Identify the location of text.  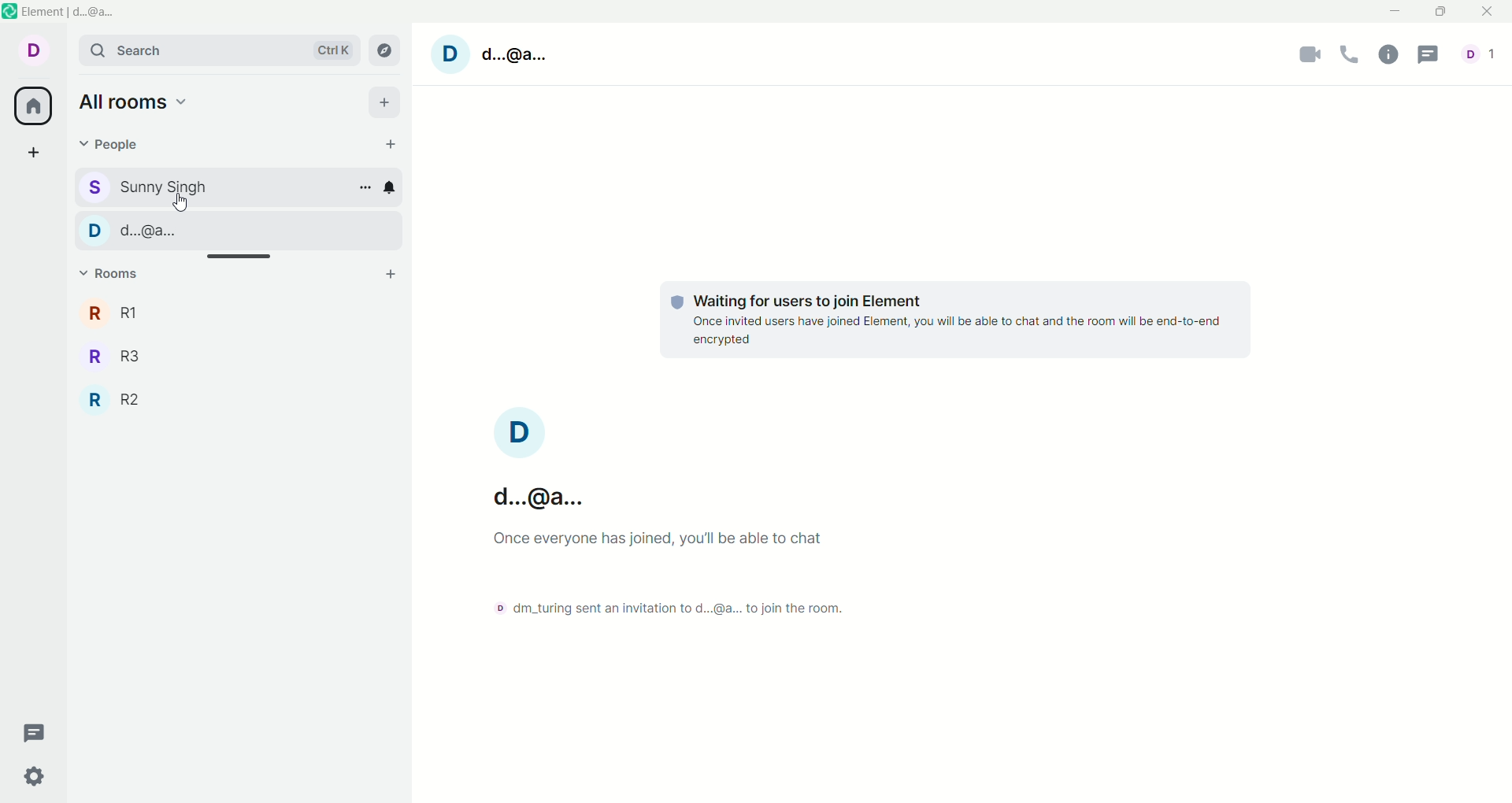
(958, 323).